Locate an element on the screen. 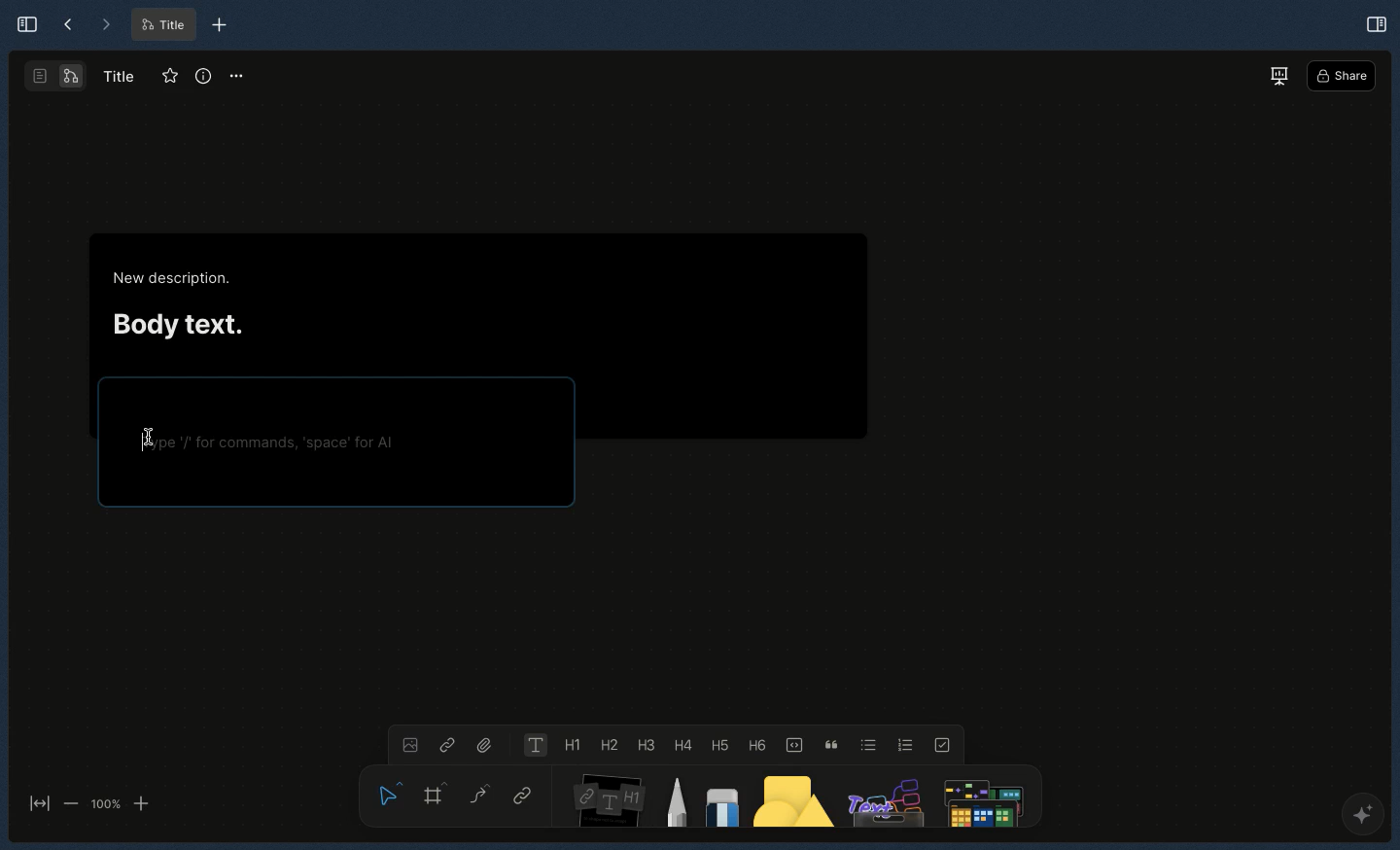 This screenshot has height=850, width=1400. Shape is located at coordinates (794, 800).